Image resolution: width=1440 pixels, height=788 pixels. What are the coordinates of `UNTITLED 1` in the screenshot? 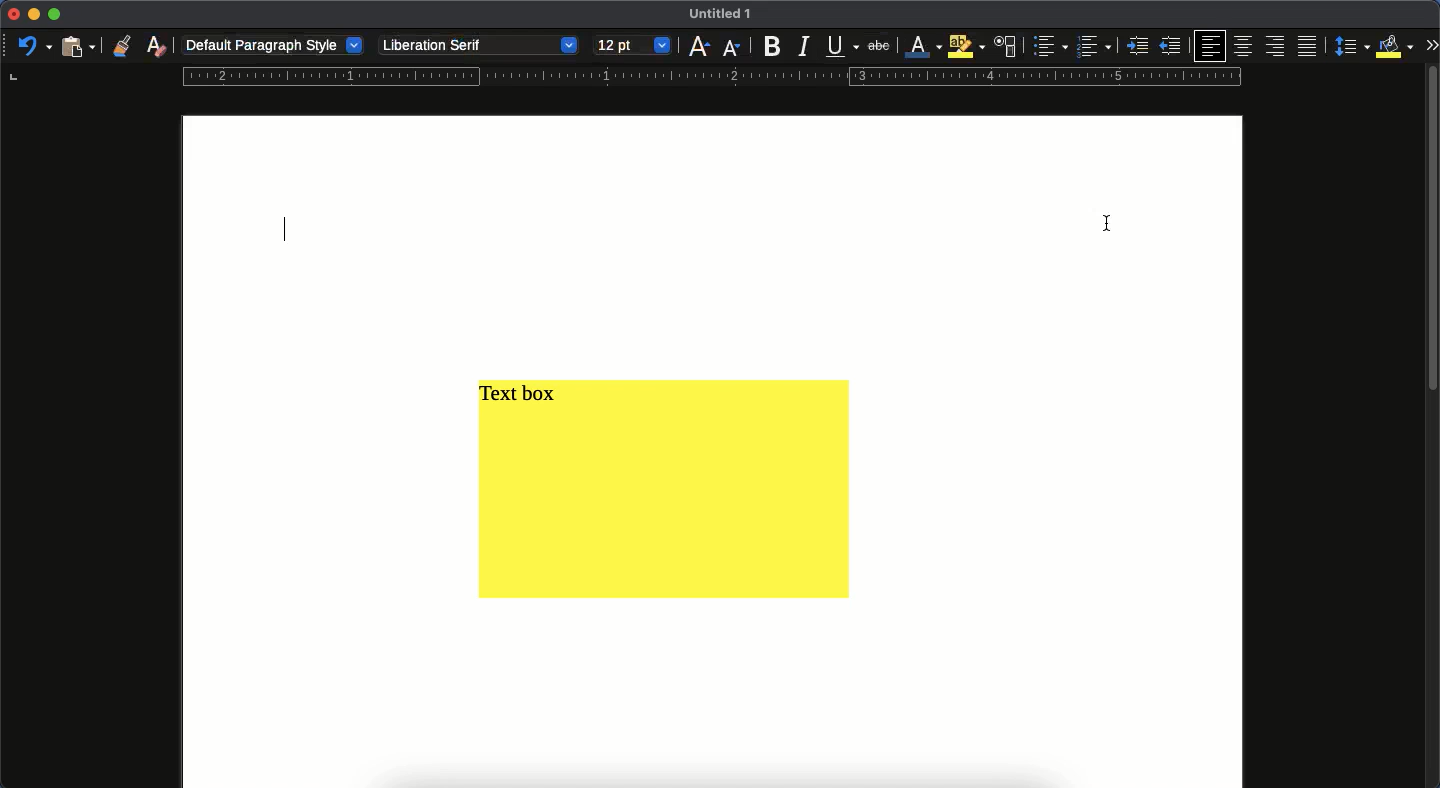 It's located at (728, 15).